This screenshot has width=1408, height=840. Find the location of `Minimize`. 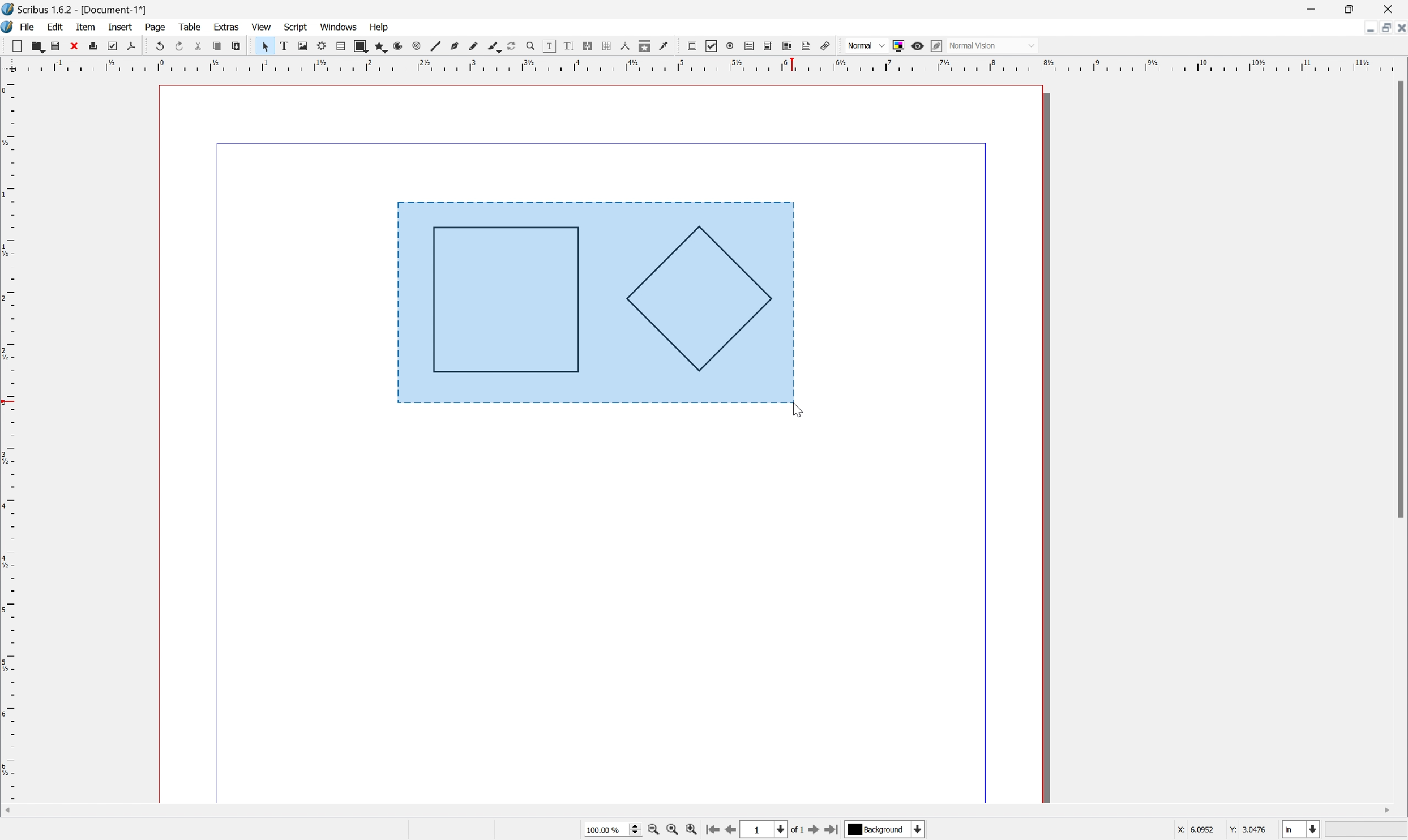

Minimize is located at coordinates (1312, 8).